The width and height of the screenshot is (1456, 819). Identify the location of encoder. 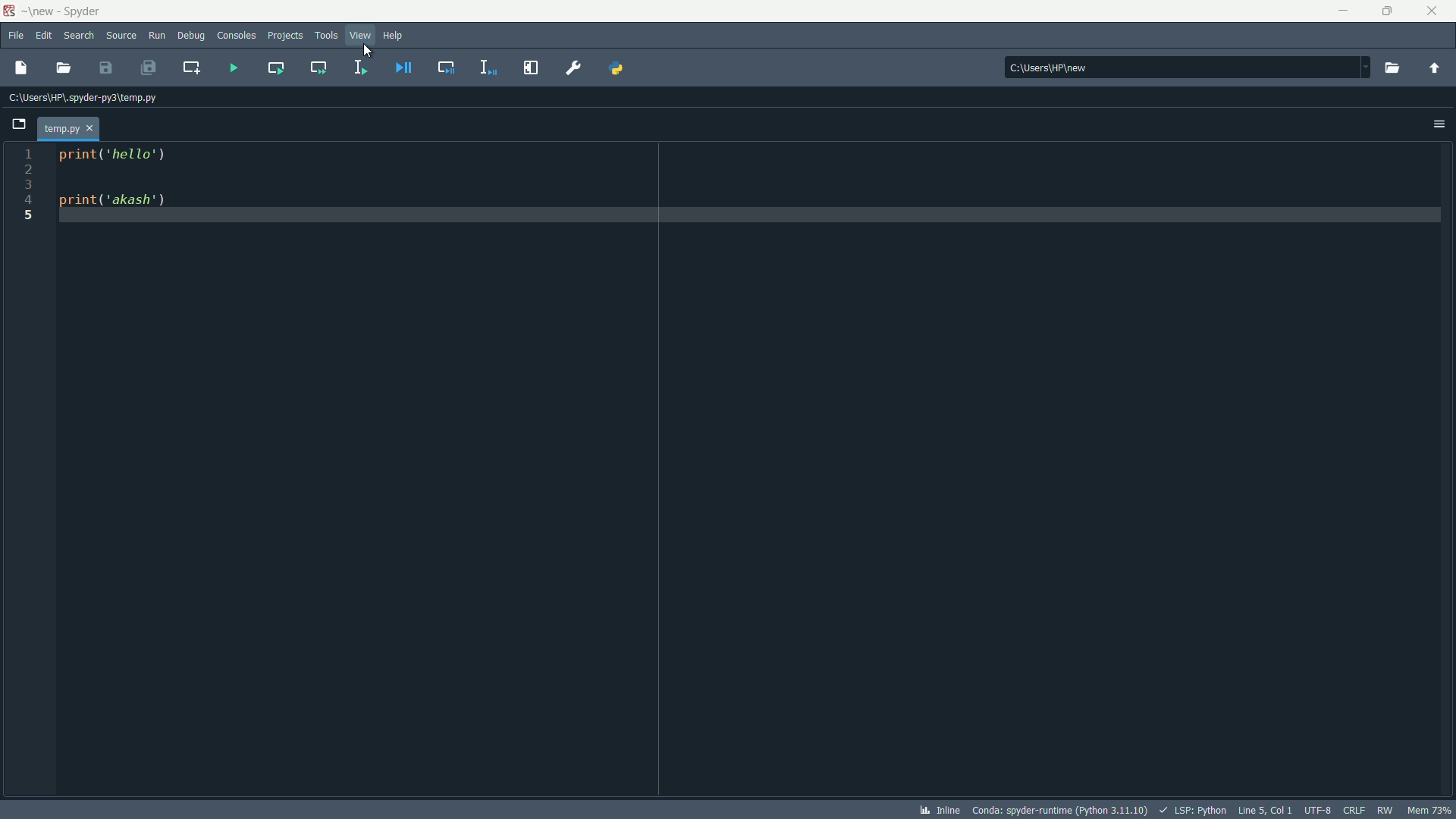
(1319, 810).